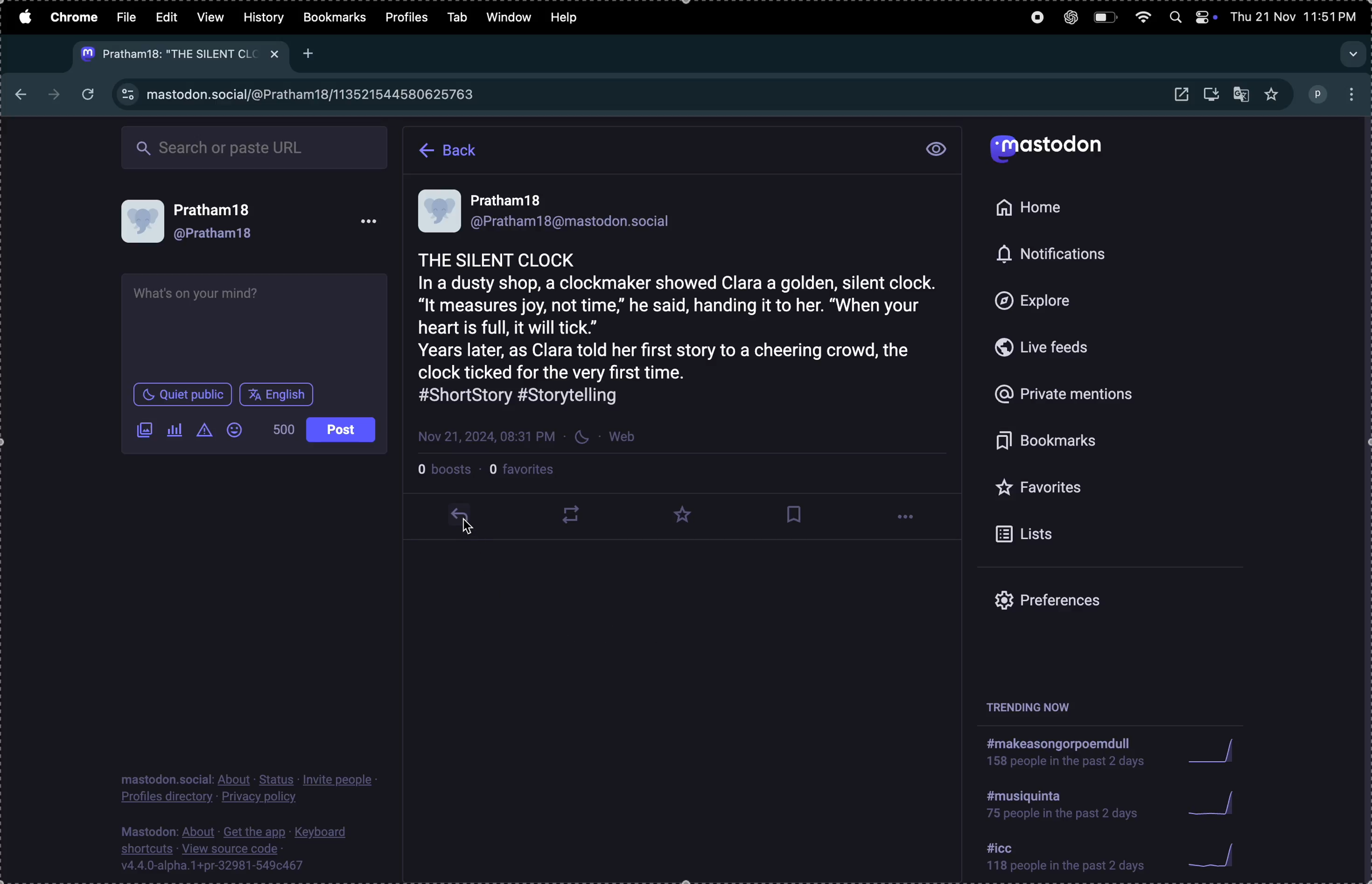 The height and width of the screenshot is (884, 1372). What do you see at coordinates (1245, 95) in the screenshot?
I see `translate` at bounding box center [1245, 95].